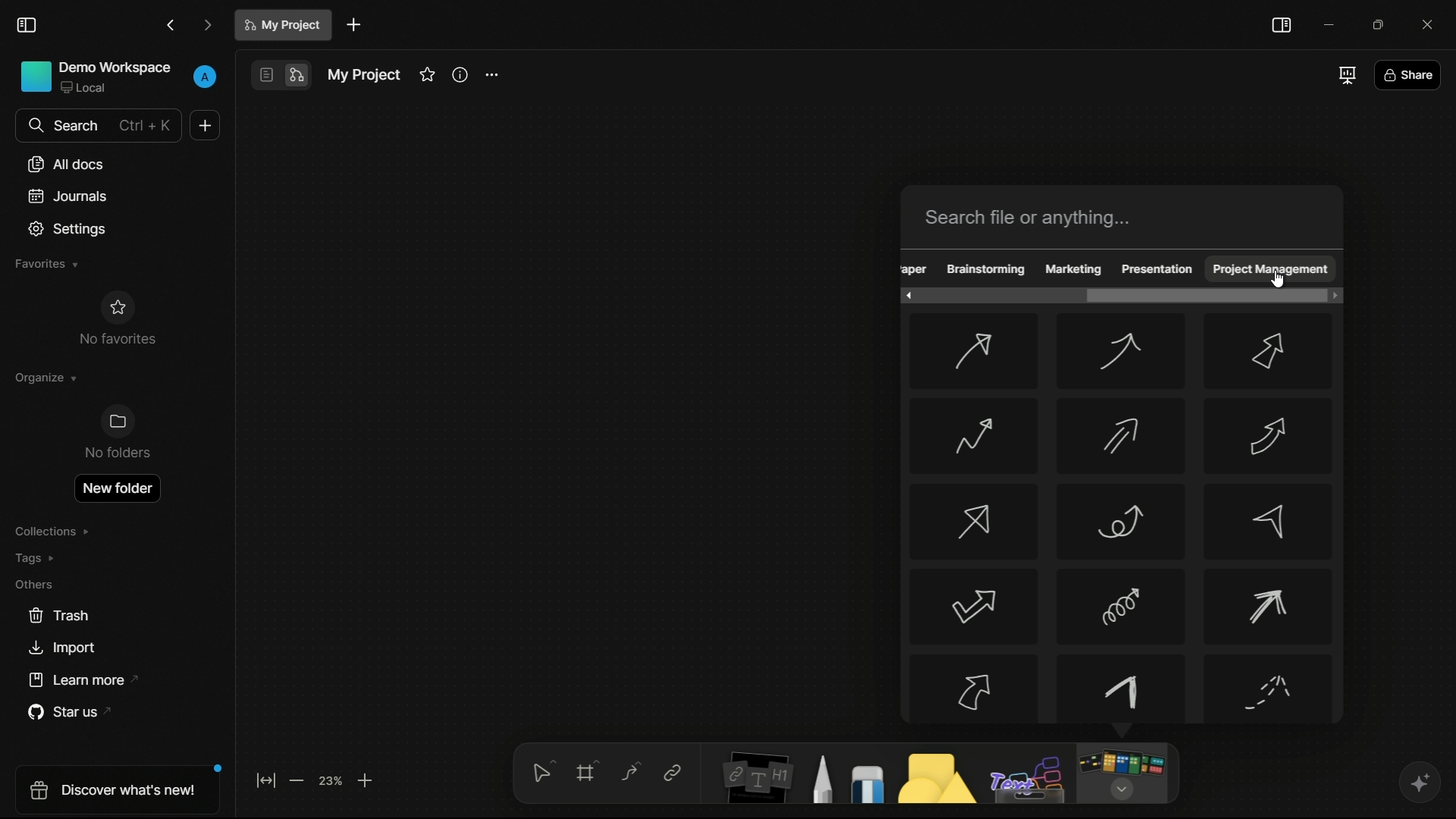  What do you see at coordinates (61, 648) in the screenshot?
I see `import` at bounding box center [61, 648].